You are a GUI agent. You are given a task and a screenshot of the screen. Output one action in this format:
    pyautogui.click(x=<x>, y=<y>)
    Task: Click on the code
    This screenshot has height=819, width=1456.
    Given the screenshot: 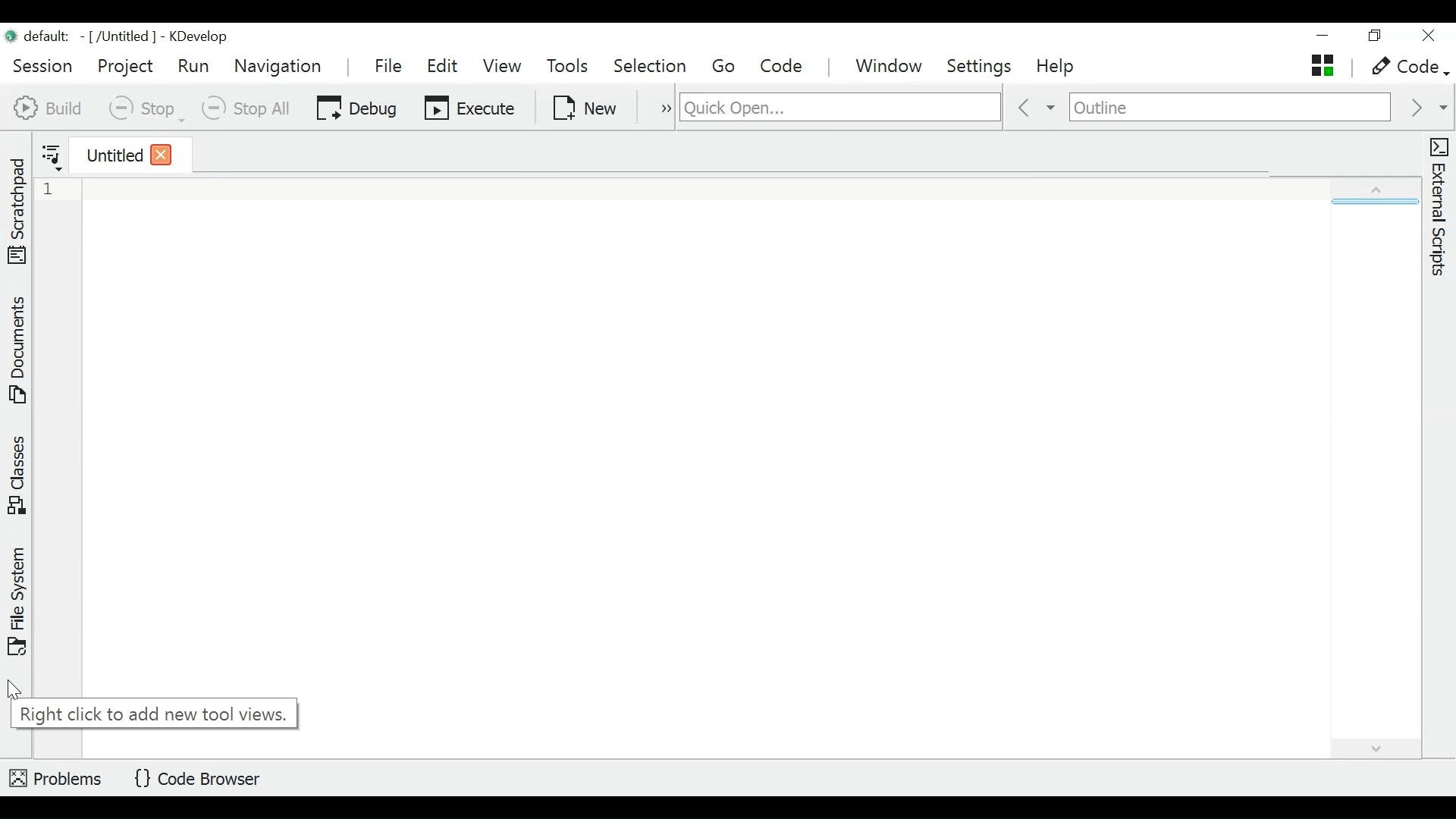 What is the action you would take?
    pyautogui.click(x=1405, y=69)
    